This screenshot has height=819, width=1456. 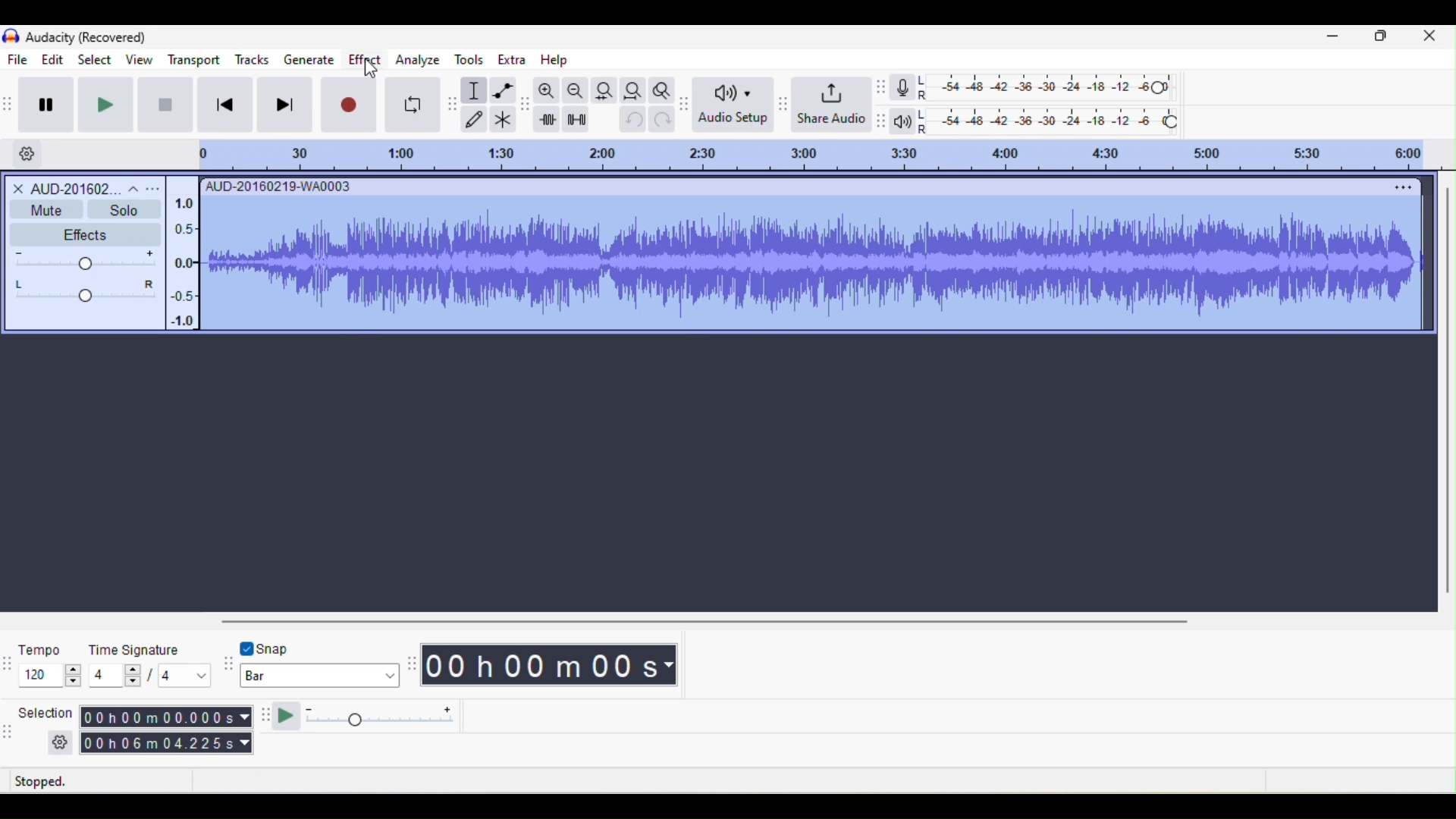 What do you see at coordinates (93, 58) in the screenshot?
I see `select` at bounding box center [93, 58].